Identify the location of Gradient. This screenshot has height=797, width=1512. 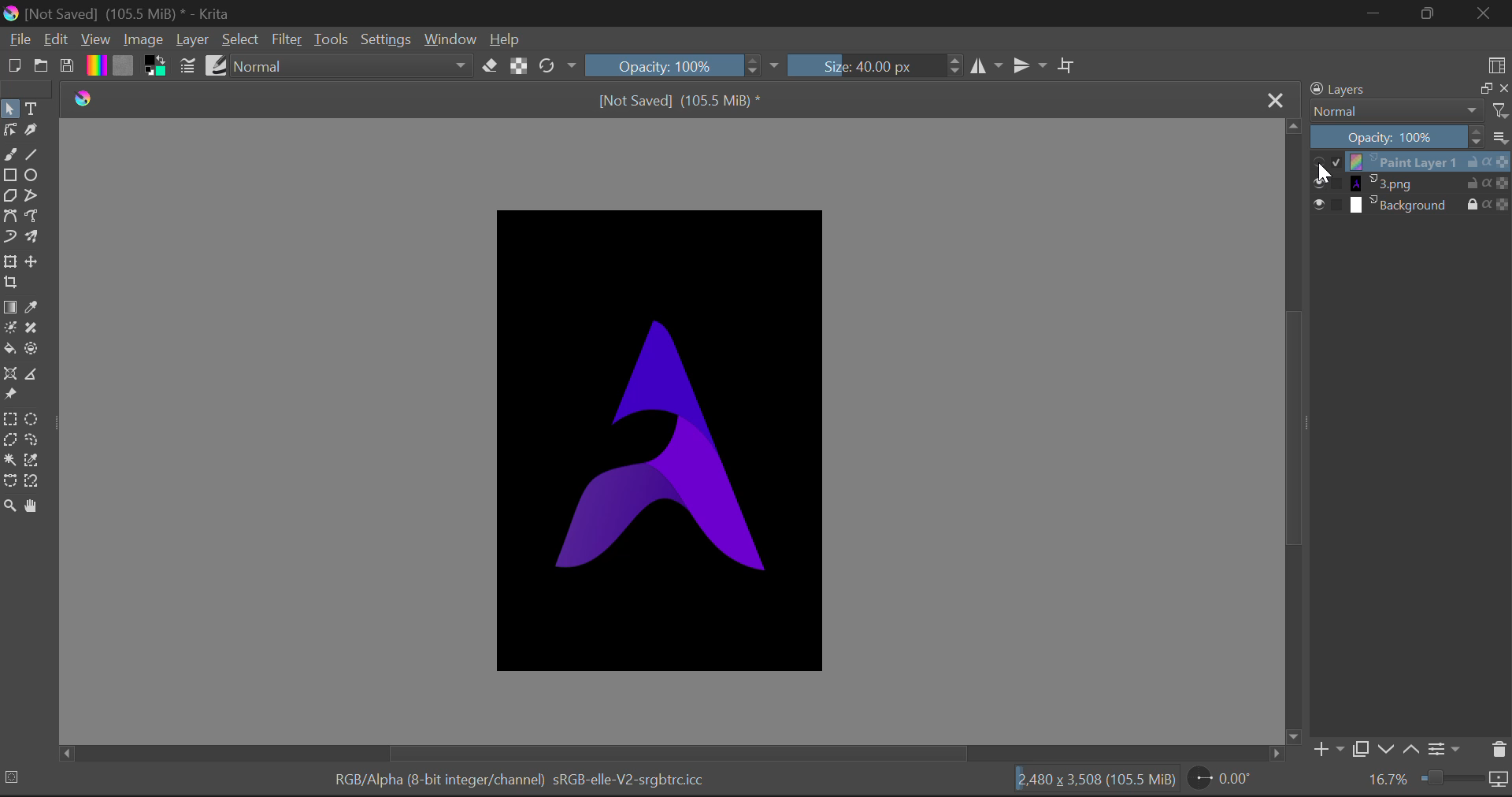
(96, 66).